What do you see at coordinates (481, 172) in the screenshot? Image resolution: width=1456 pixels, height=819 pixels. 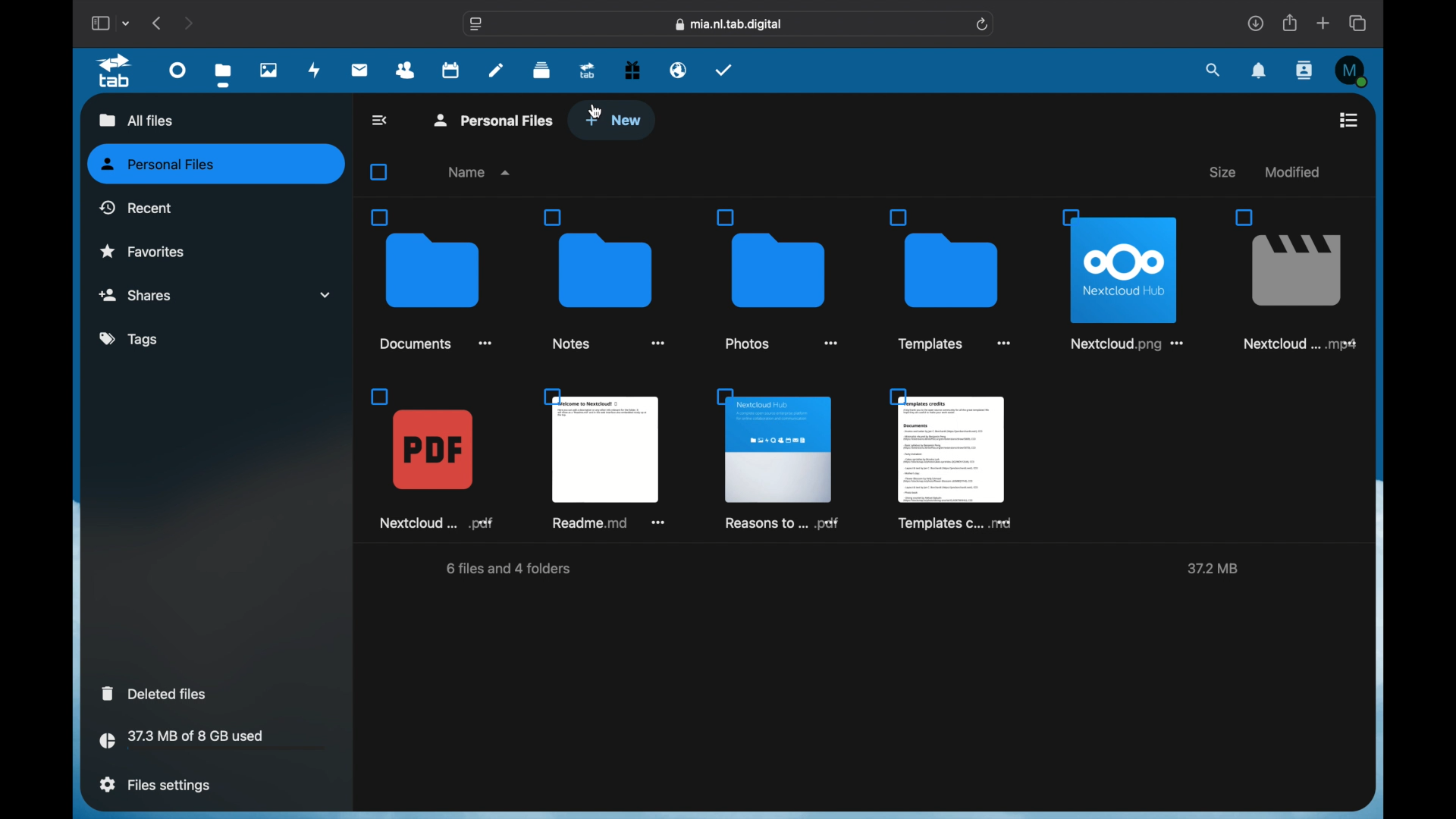 I see `name` at bounding box center [481, 172].